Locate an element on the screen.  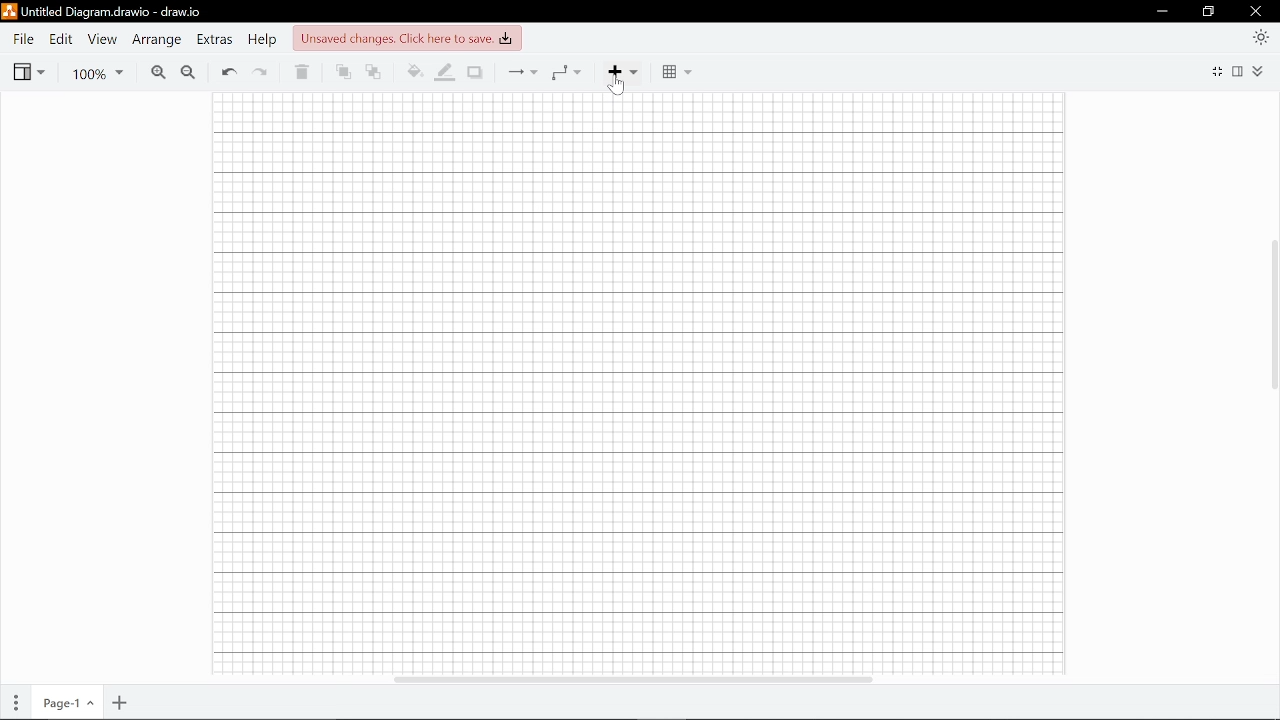
Table is located at coordinates (674, 71).